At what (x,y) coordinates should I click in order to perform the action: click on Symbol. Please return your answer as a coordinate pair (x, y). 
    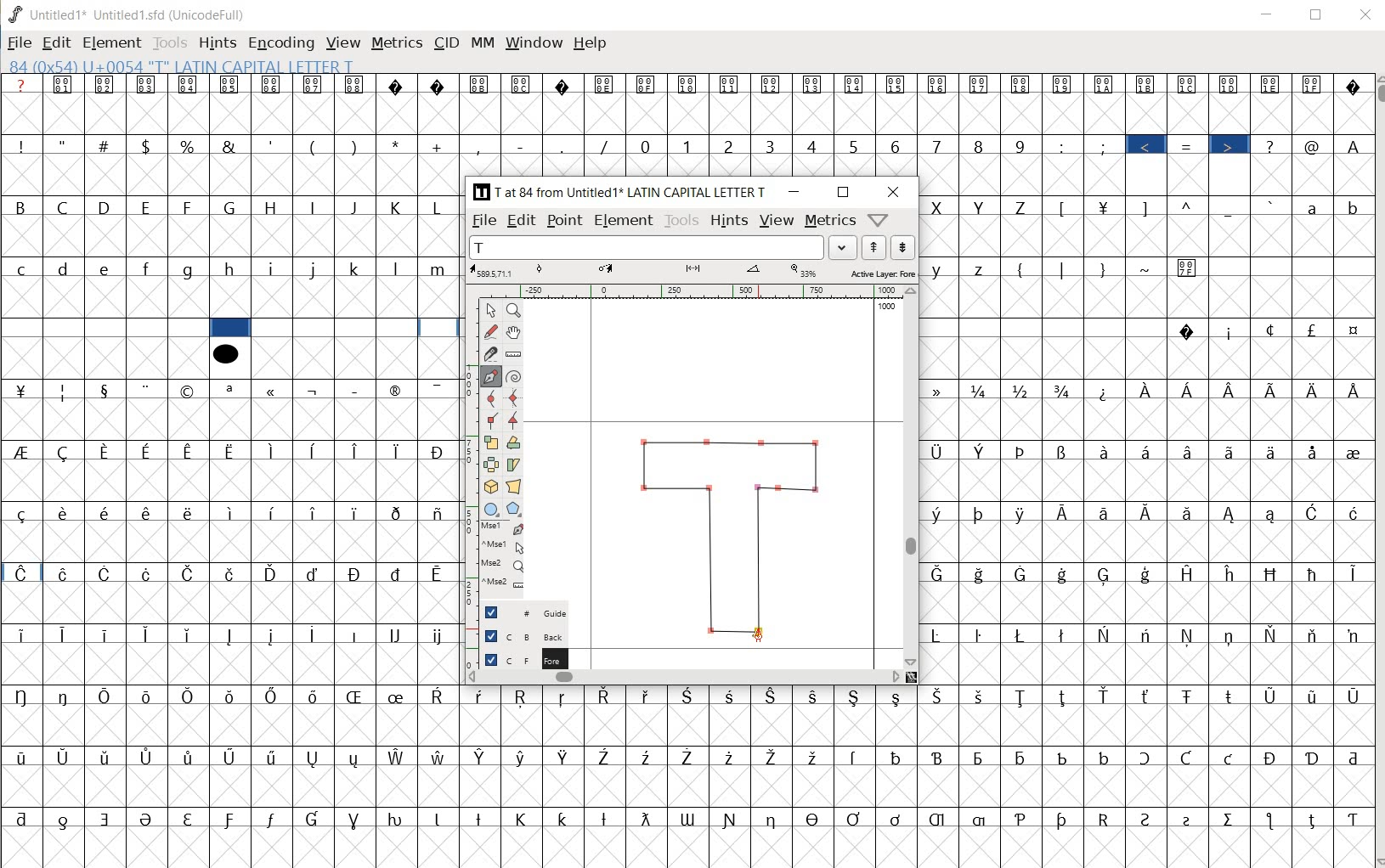
    Looking at the image, I should click on (981, 450).